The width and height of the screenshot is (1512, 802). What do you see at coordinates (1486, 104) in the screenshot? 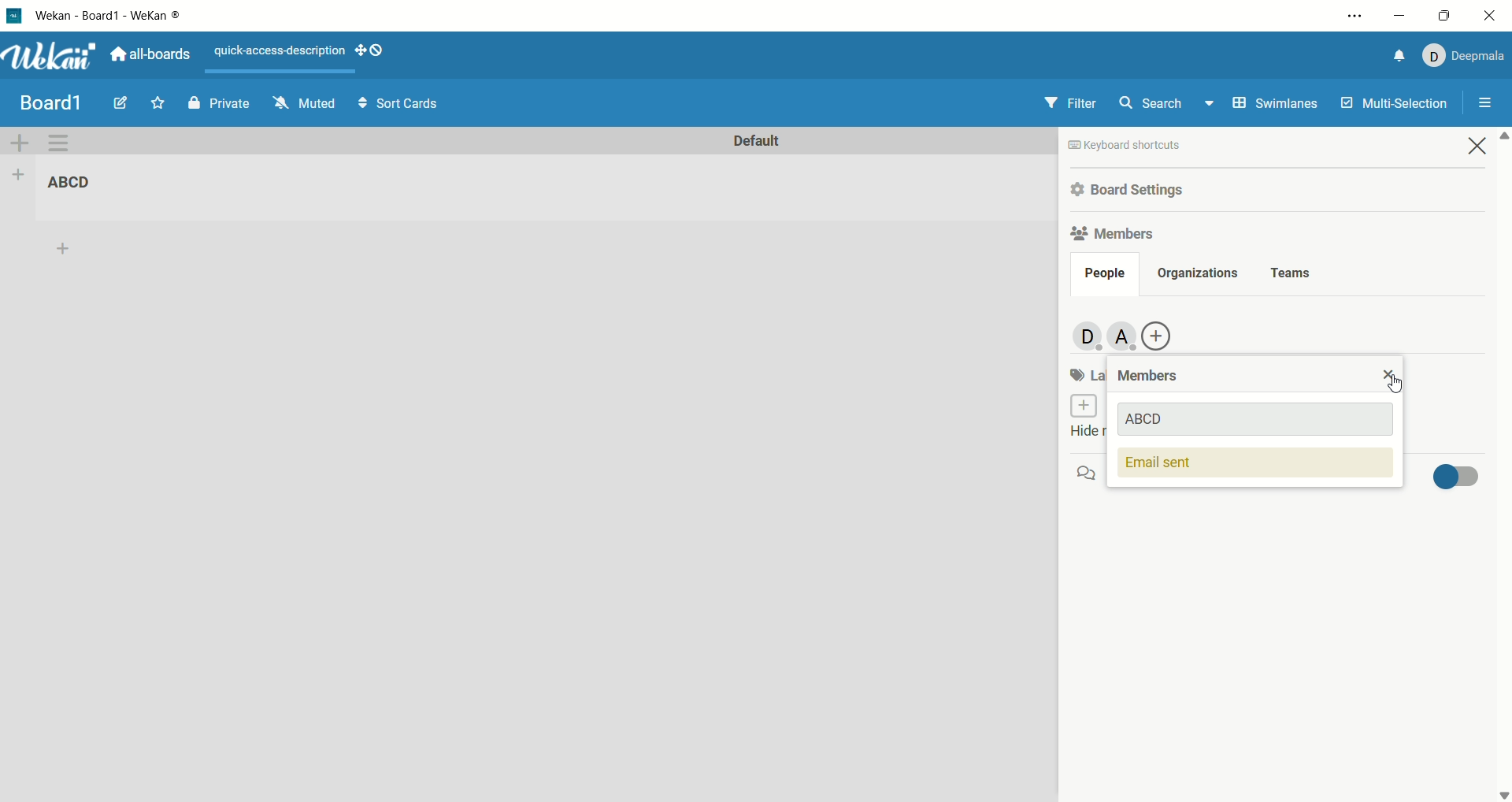
I see `open/close sidebar` at bounding box center [1486, 104].